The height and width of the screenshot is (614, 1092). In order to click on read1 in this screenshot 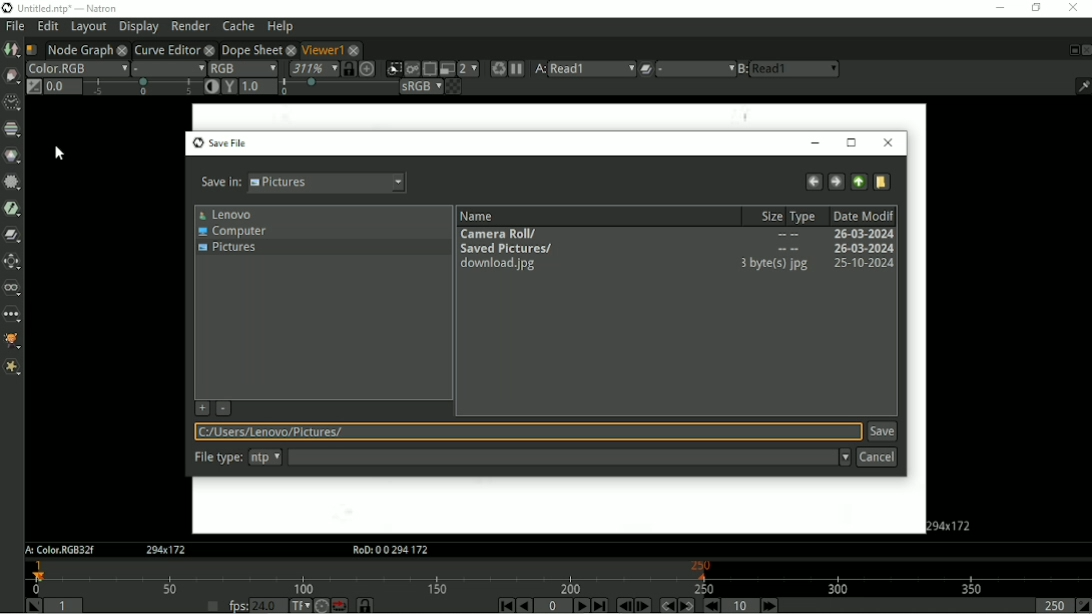, I will do `click(592, 69)`.